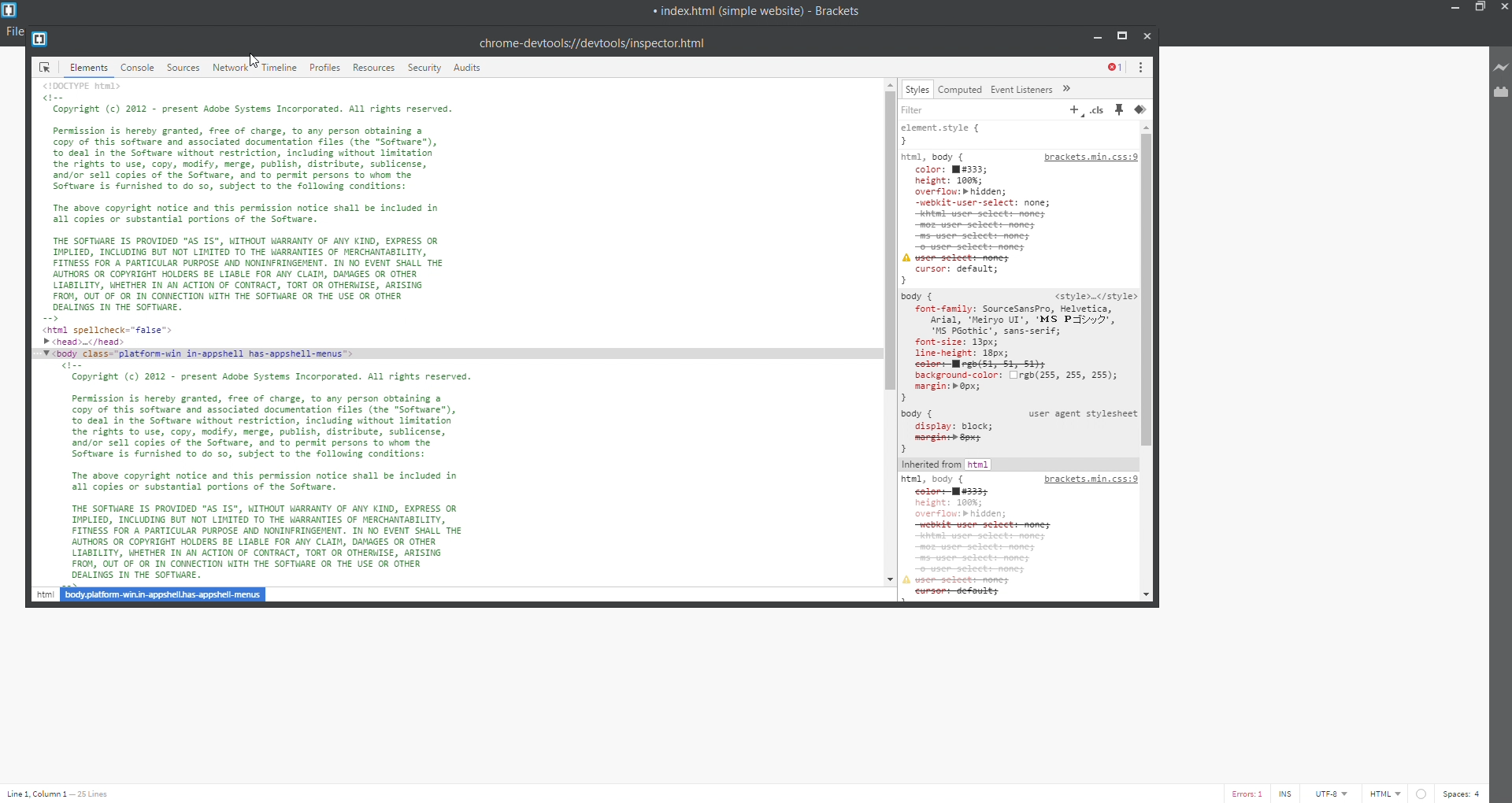 The image size is (1512, 803). I want to click on close, so click(1148, 38).